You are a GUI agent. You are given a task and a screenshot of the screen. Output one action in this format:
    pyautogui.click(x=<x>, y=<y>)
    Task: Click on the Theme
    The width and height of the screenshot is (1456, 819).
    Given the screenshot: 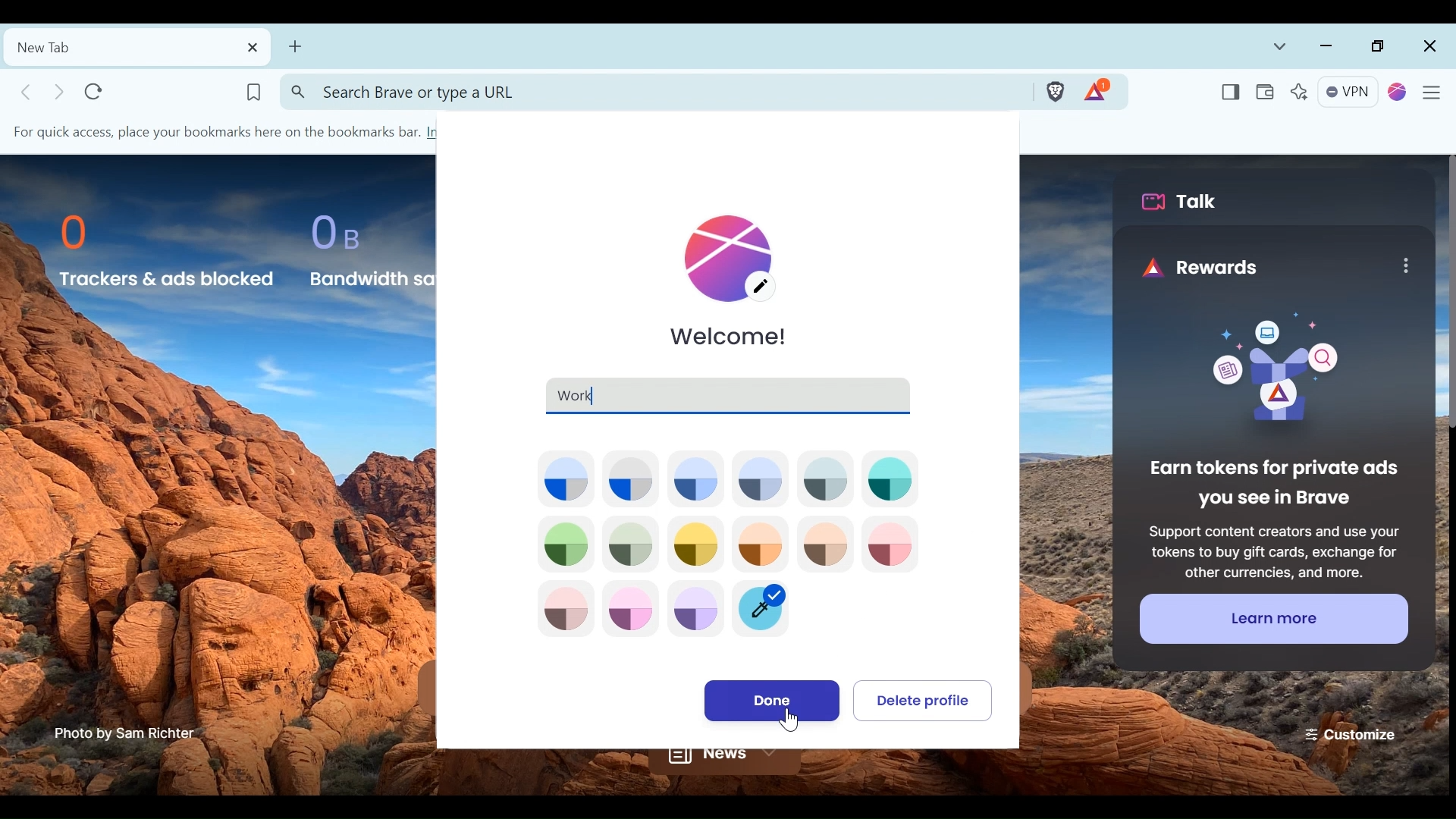 What is the action you would take?
    pyautogui.click(x=631, y=544)
    